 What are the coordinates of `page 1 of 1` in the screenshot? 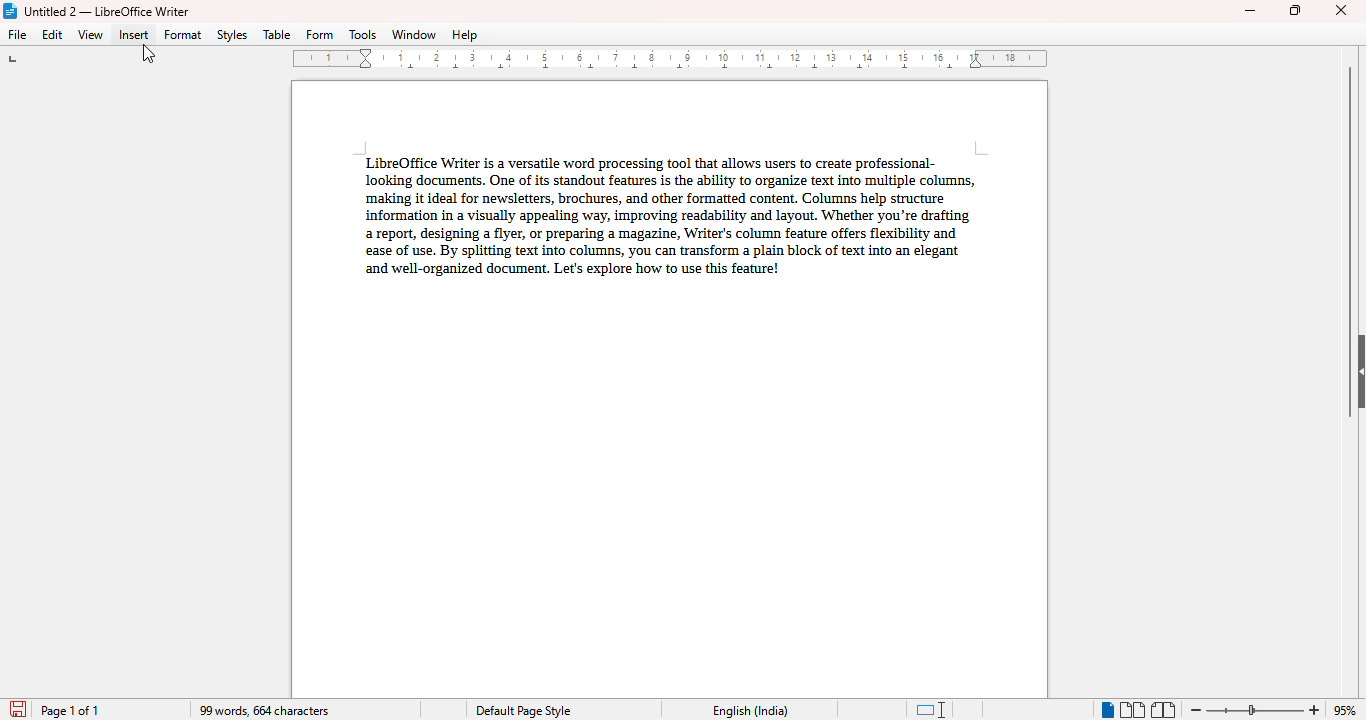 It's located at (71, 711).